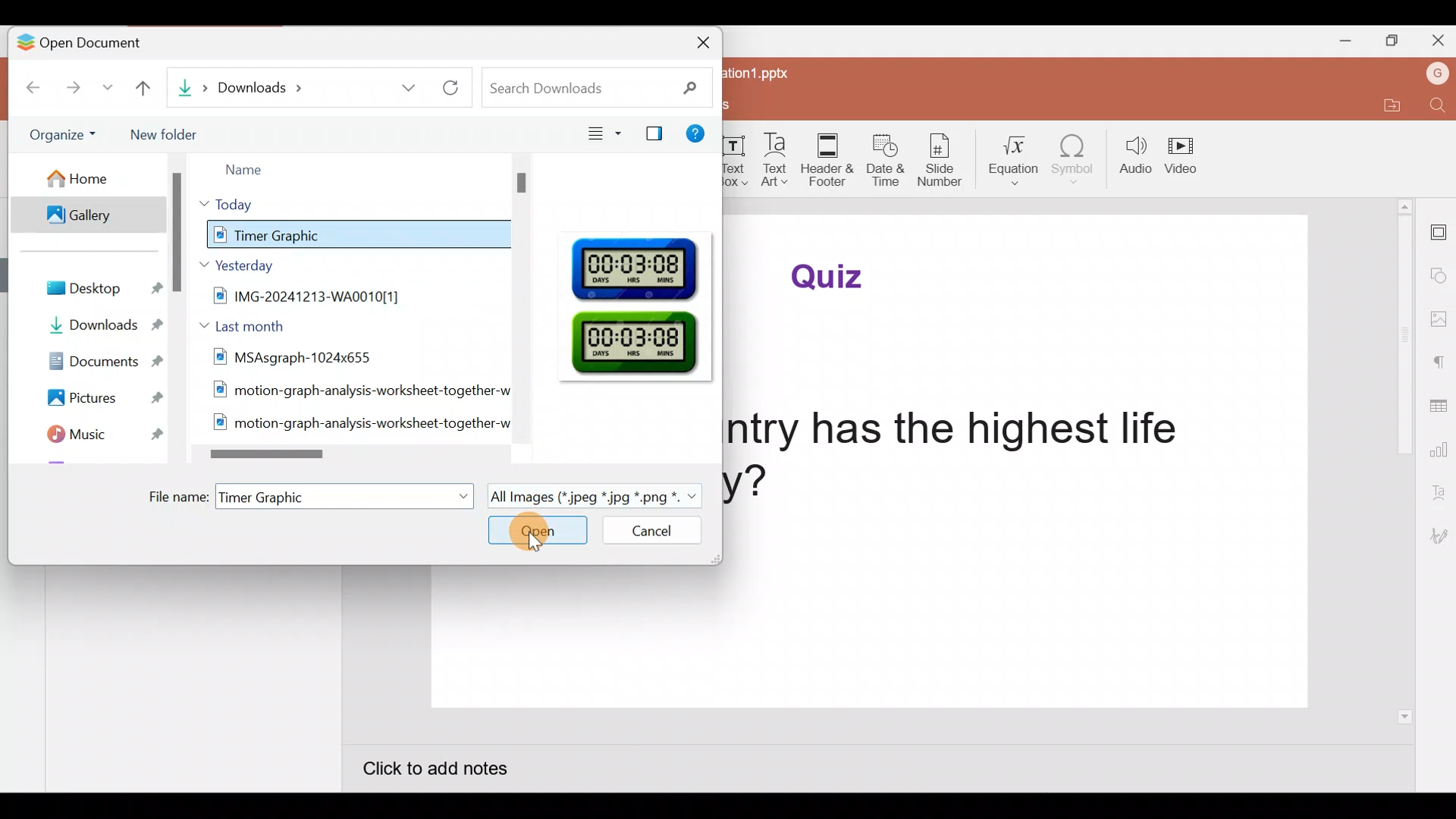 The image size is (1456, 819). Describe the element at coordinates (94, 394) in the screenshot. I see `Pictures` at that location.